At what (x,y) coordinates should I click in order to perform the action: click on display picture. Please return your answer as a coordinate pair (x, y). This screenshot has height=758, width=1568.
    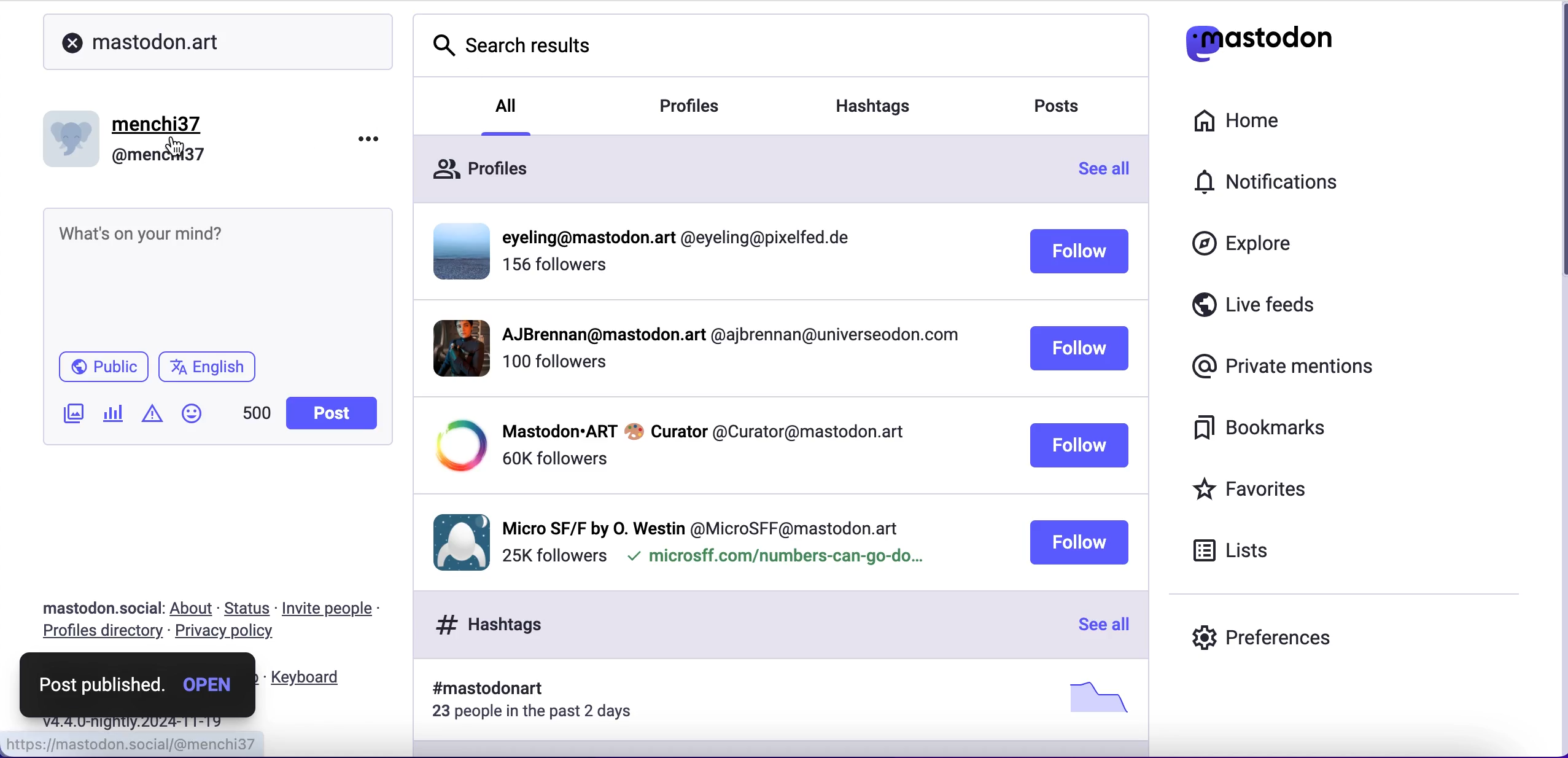
    Looking at the image, I should click on (457, 251).